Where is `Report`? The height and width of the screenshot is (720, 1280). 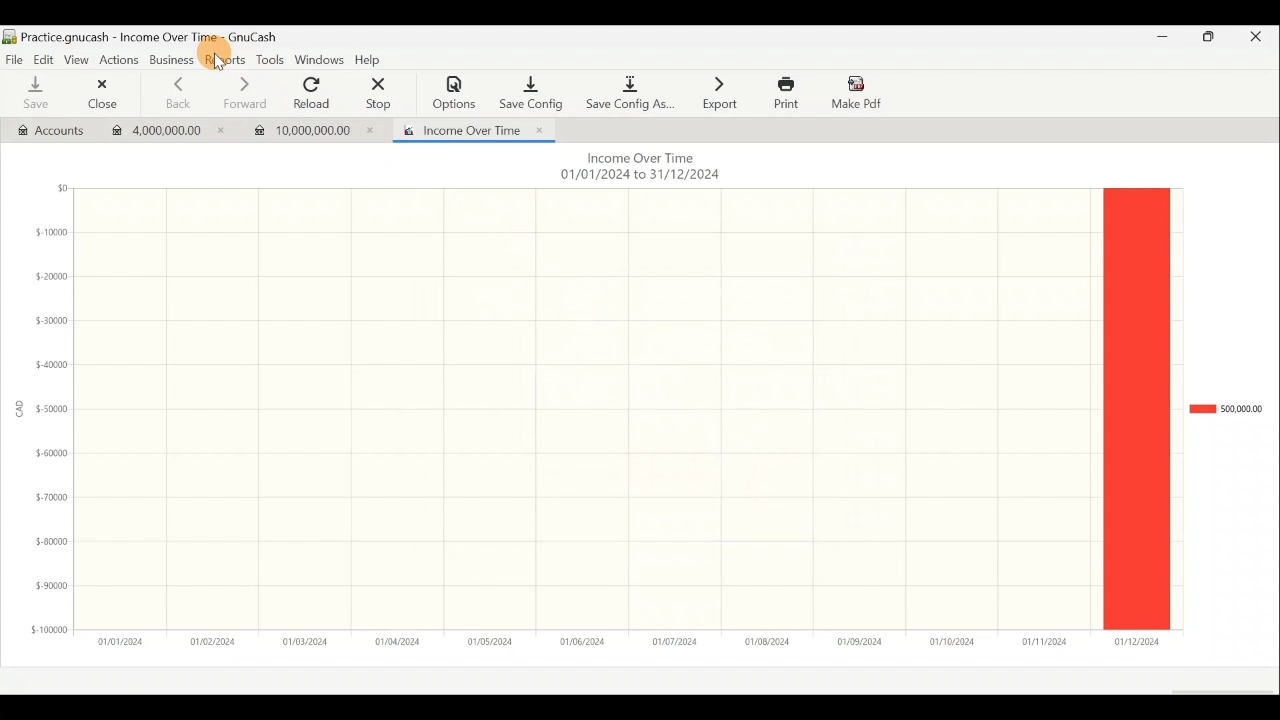 Report is located at coordinates (469, 129).